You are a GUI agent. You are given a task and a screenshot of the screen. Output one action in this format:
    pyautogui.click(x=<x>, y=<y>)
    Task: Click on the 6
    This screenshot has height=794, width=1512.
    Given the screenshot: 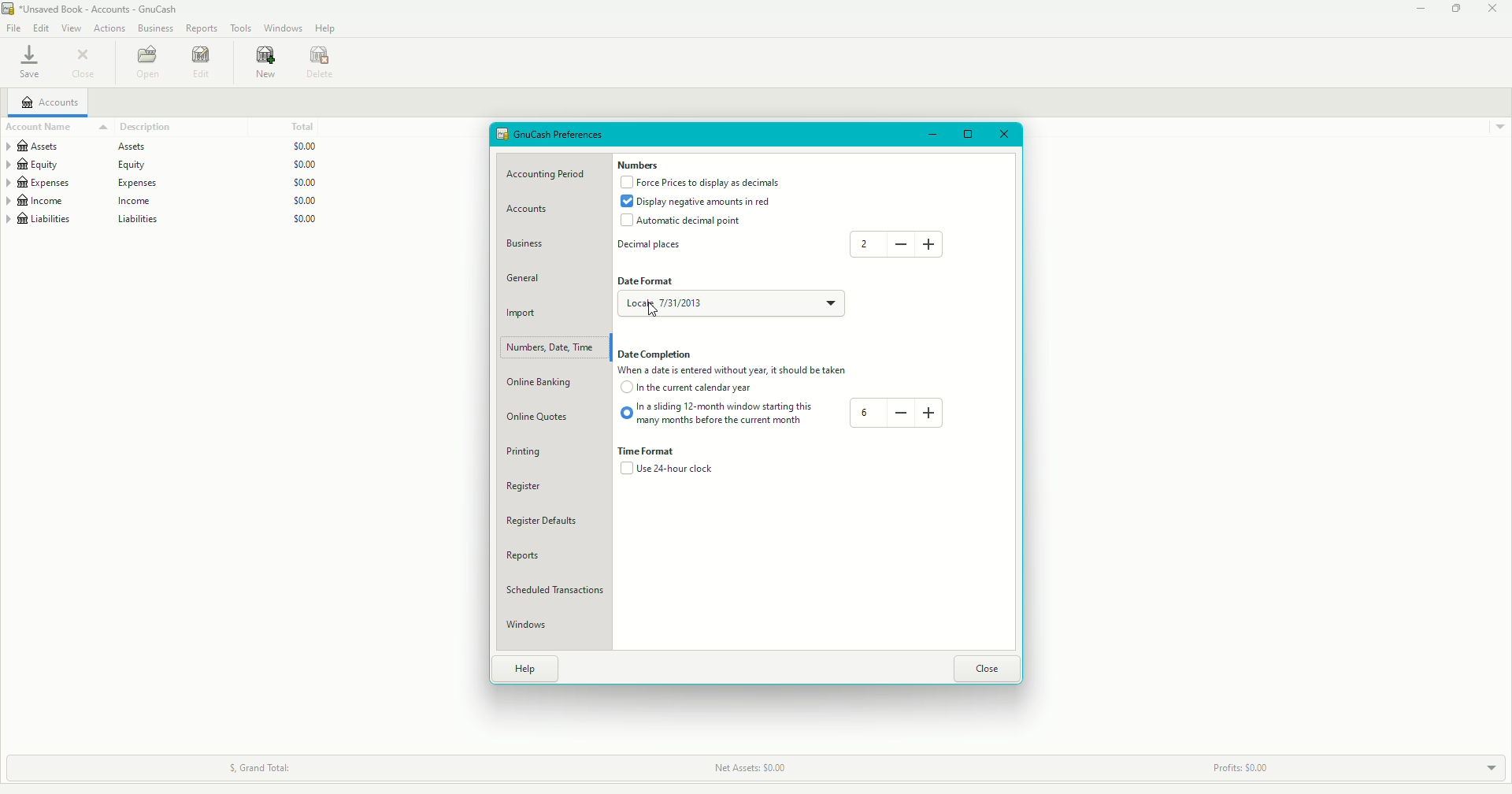 What is the action you would take?
    pyautogui.click(x=868, y=413)
    